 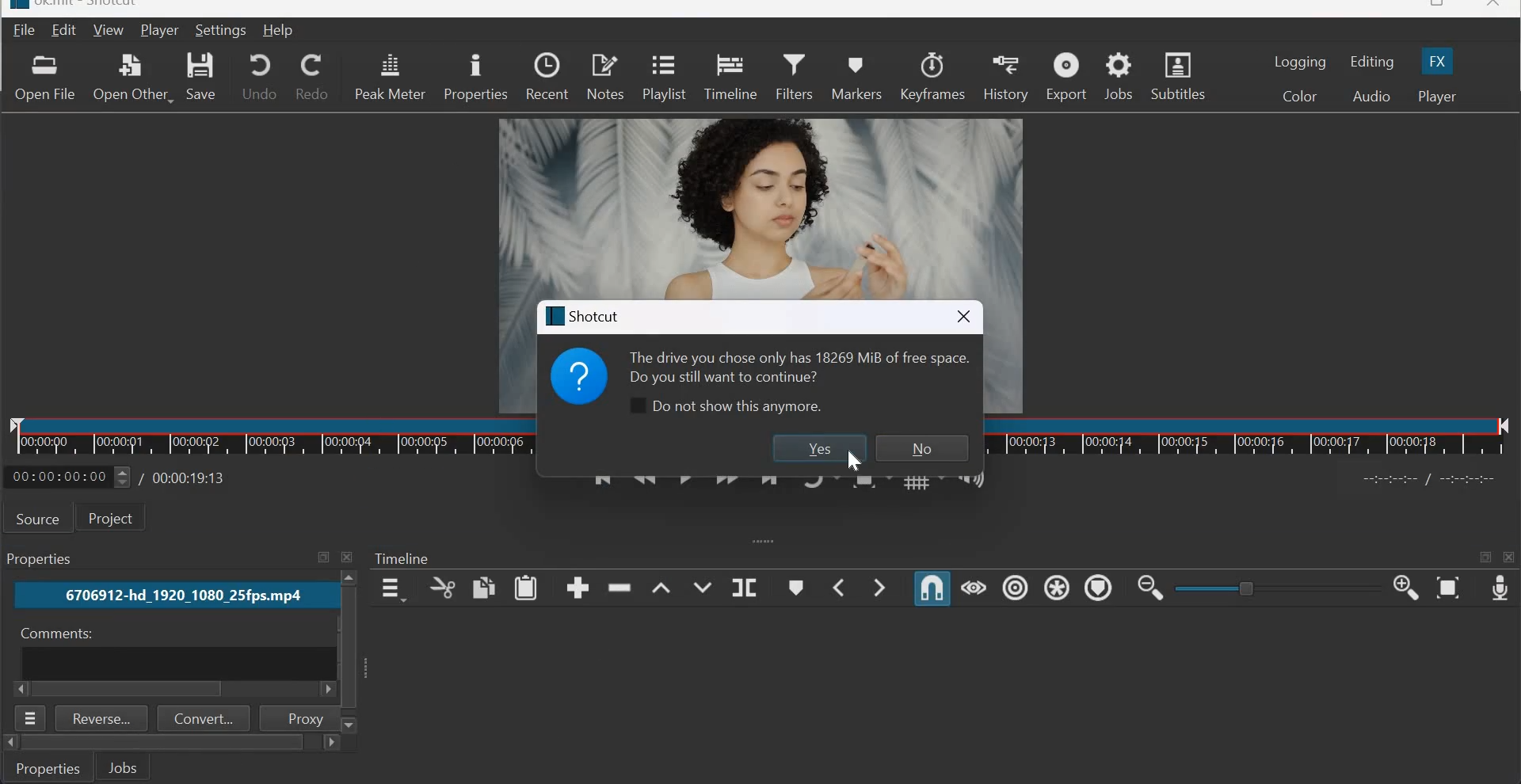 What do you see at coordinates (922, 448) in the screenshot?
I see `no` at bounding box center [922, 448].